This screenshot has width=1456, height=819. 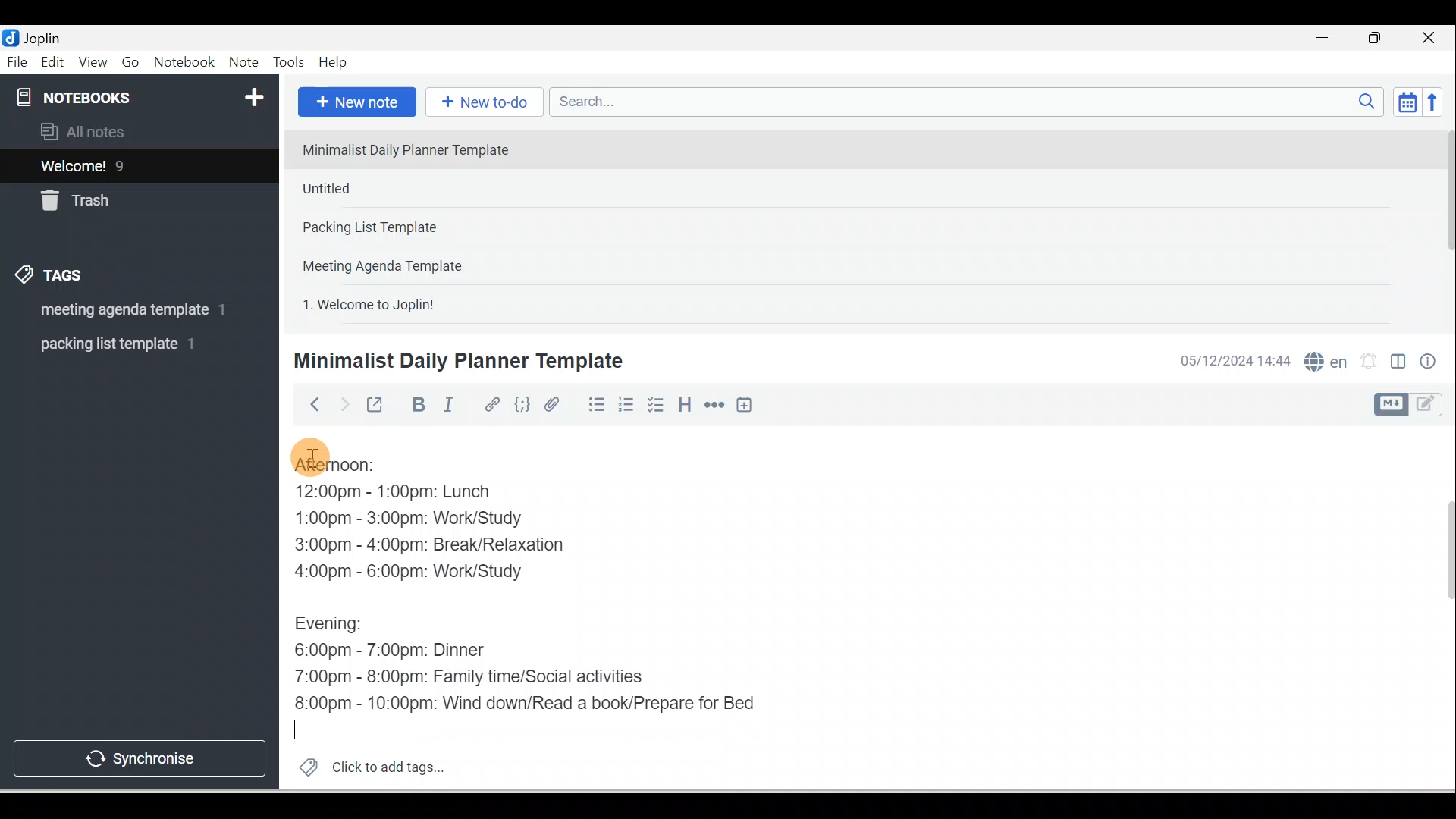 I want to click on 12:00pm - 1:00pm: Lunch, so click(x=410, y=493).